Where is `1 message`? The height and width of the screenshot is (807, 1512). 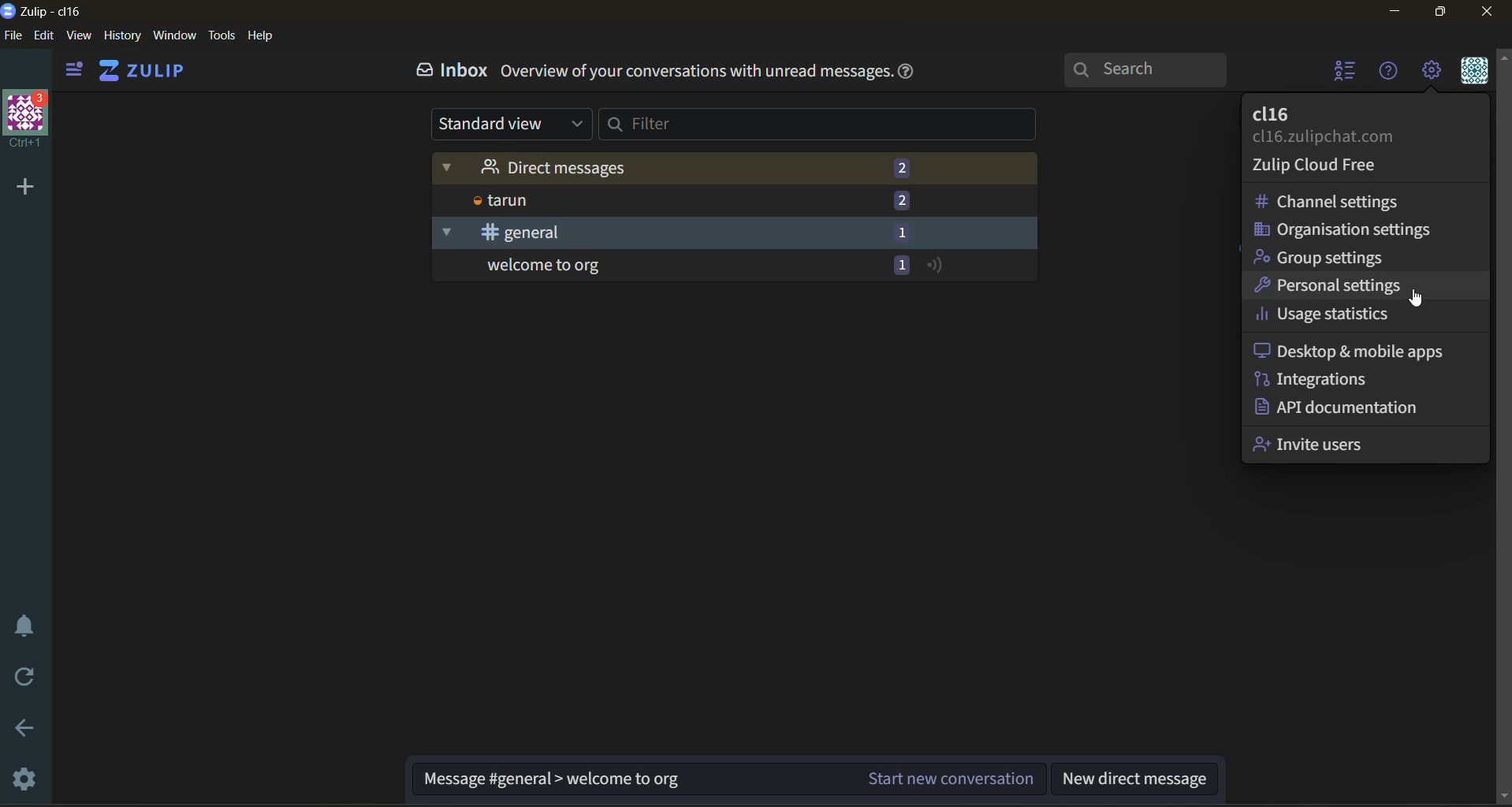
1 message is located at coordinates (898, 263).